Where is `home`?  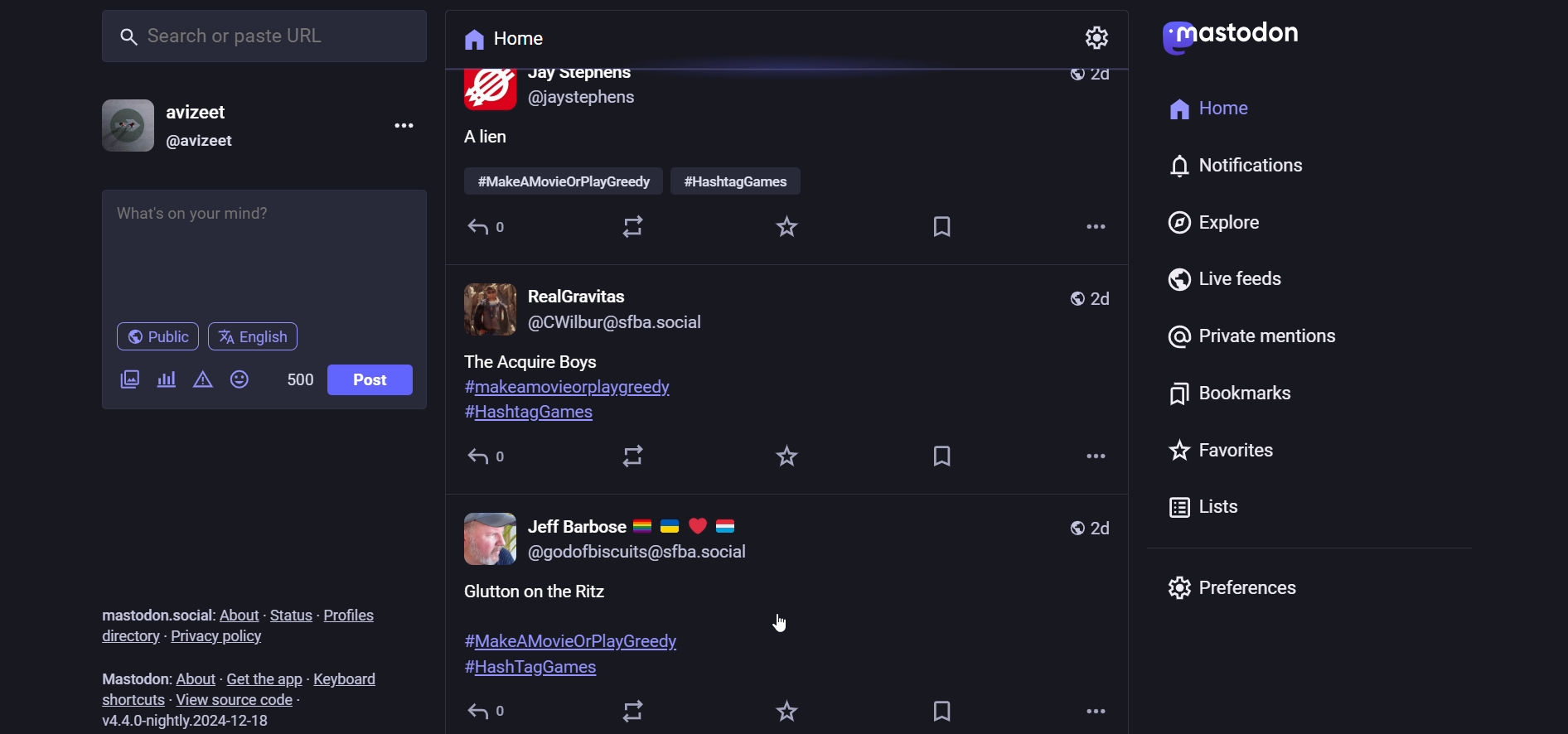
home is located at coordinates (501, 41).